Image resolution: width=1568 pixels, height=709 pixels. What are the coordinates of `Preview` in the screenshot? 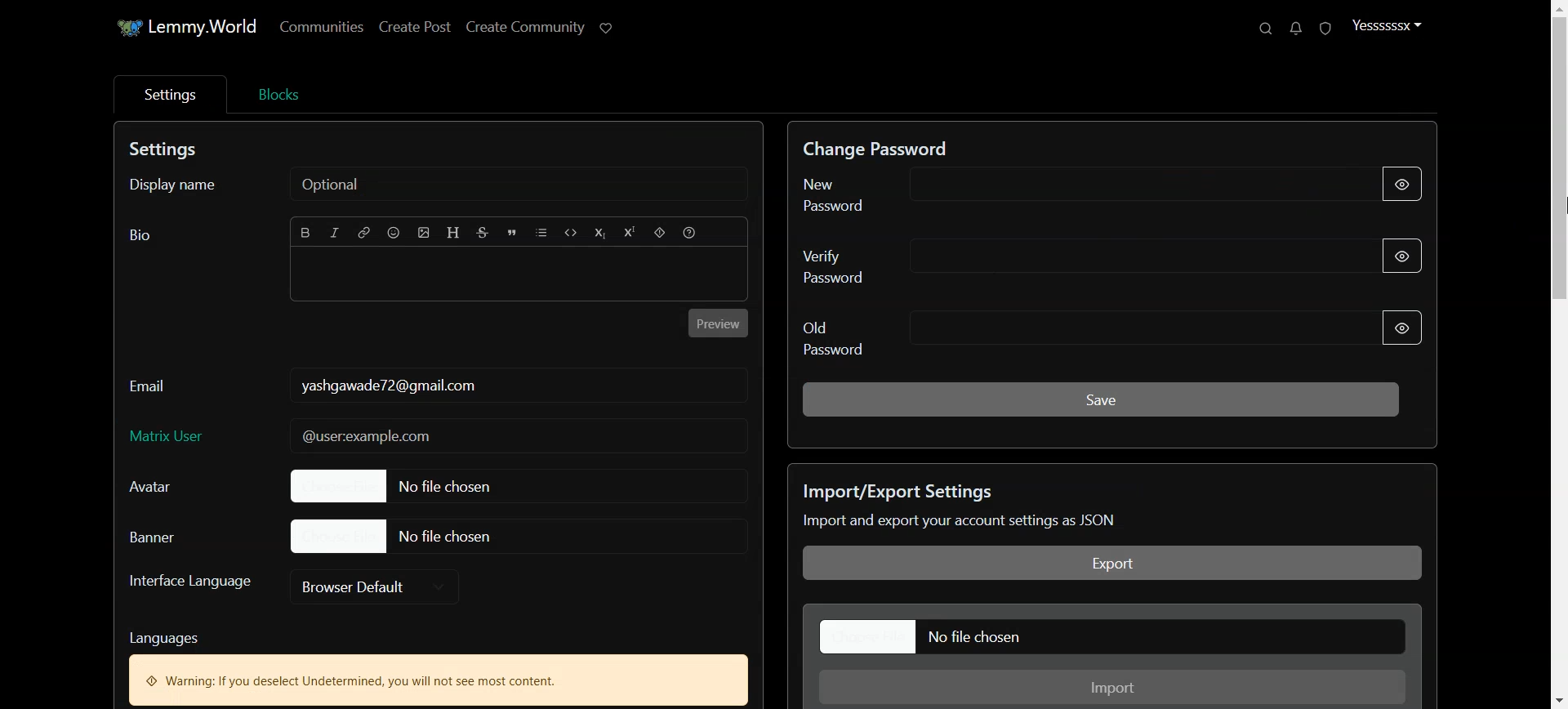 It's located at (717, 323).